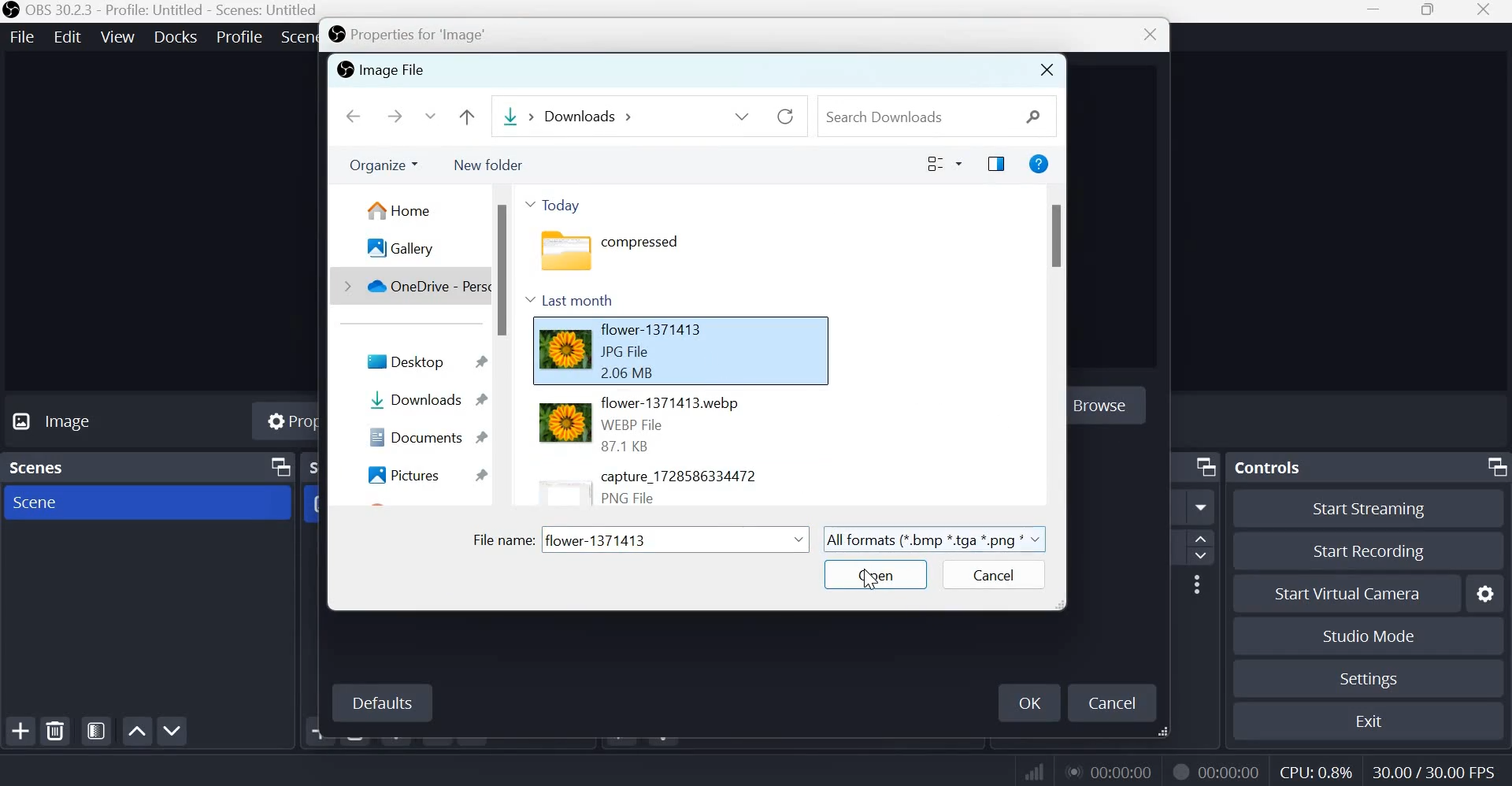 The width and height of the screenshot is (1512, 786). What do you see at coordinates (1116, 704) in the screenshot?
I see `Cancel` at bounding box center [1116, 704].